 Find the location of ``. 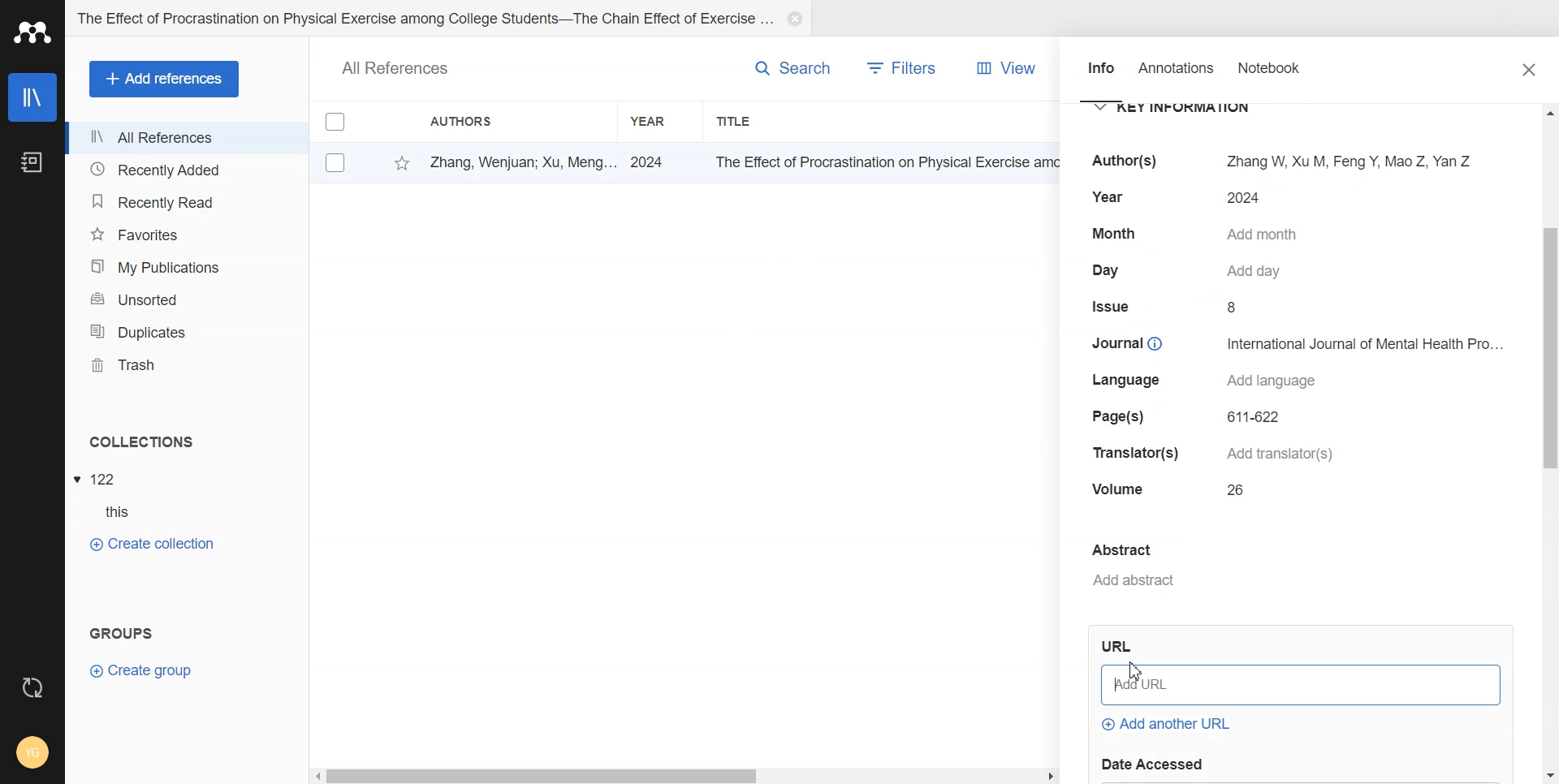

 is located at coordinates (1129, 641).